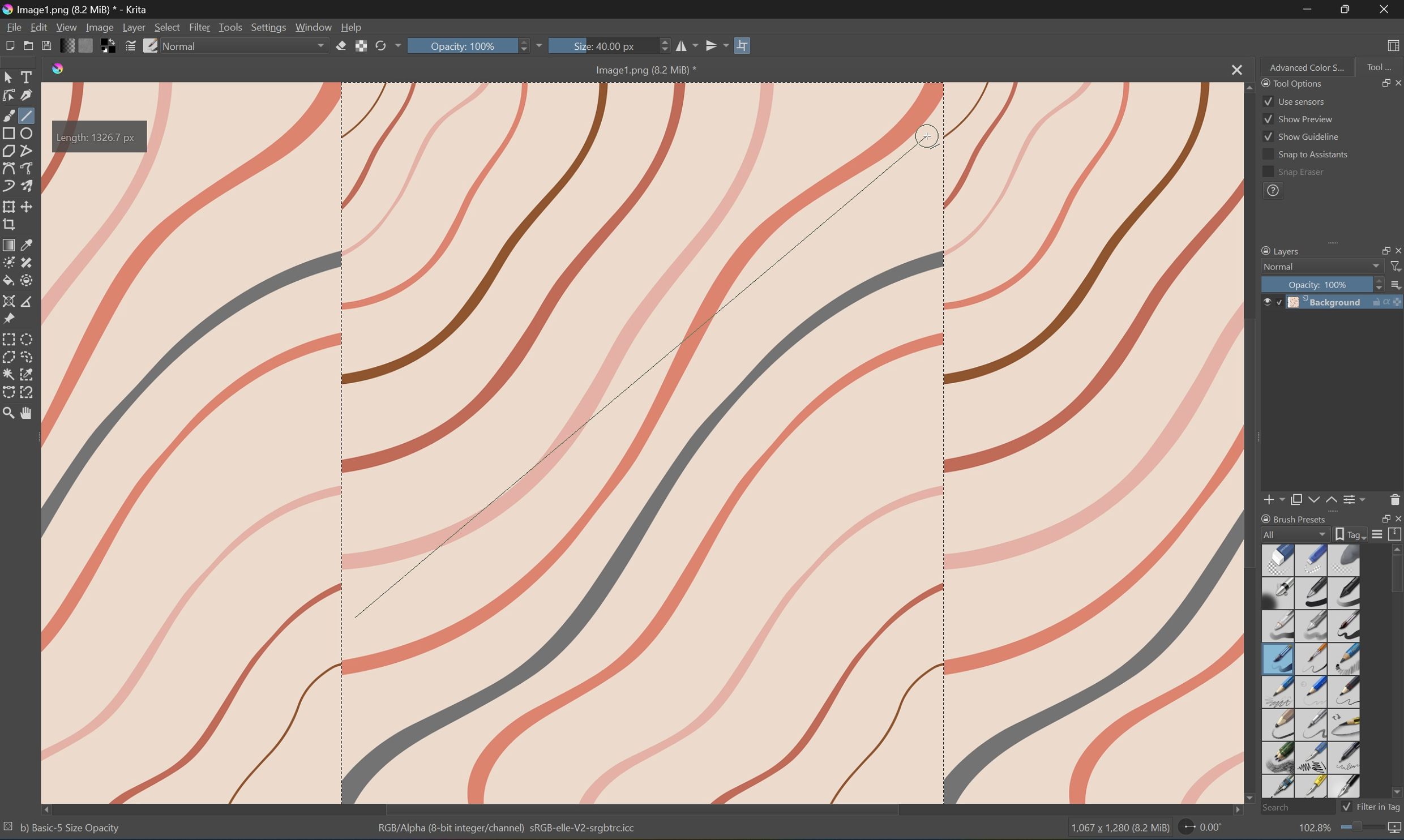 The width and height of the screenshot is (1404, 840). What do you see at coordinates (99, 27) in the screenshot?
I see `Image` at bounding box center [99, 27].